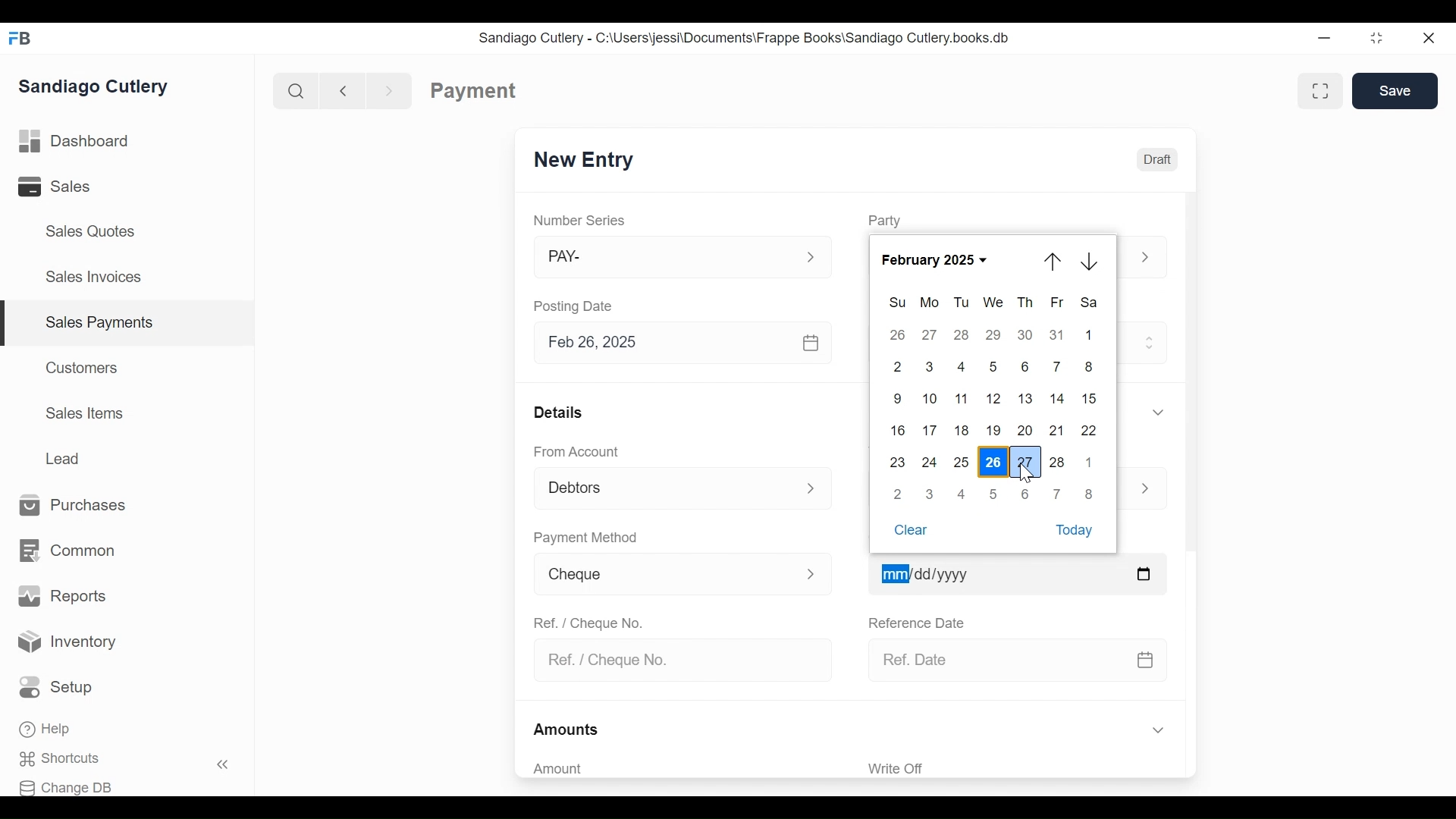 Image resolution: width=1456 pixels, height=819 pixels. Describe the element at coordinates (1156, 158) in the screenshot. I see `Draft` at that location.